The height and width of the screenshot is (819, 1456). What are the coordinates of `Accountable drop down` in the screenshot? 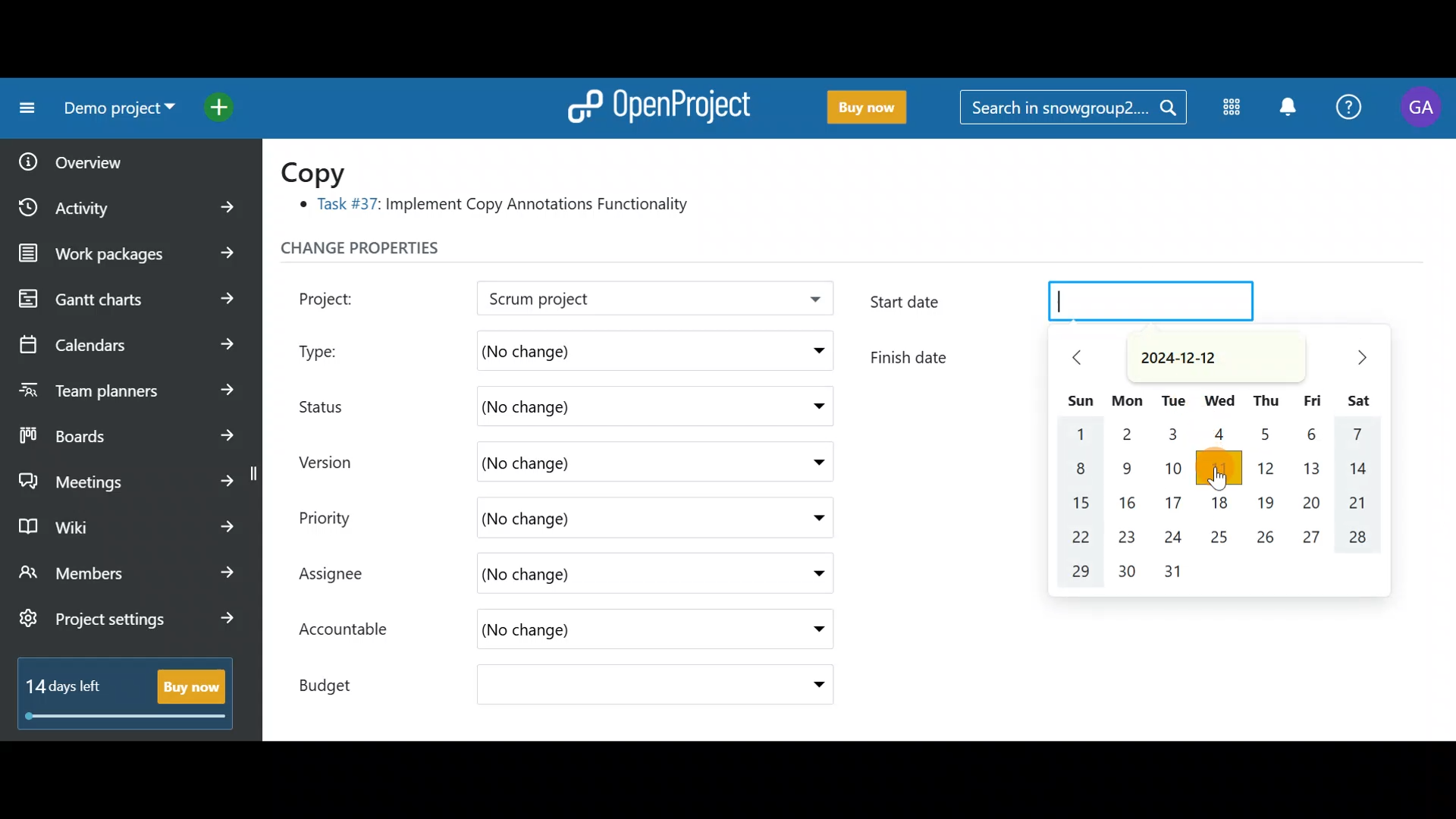 It's located at (811, 630).